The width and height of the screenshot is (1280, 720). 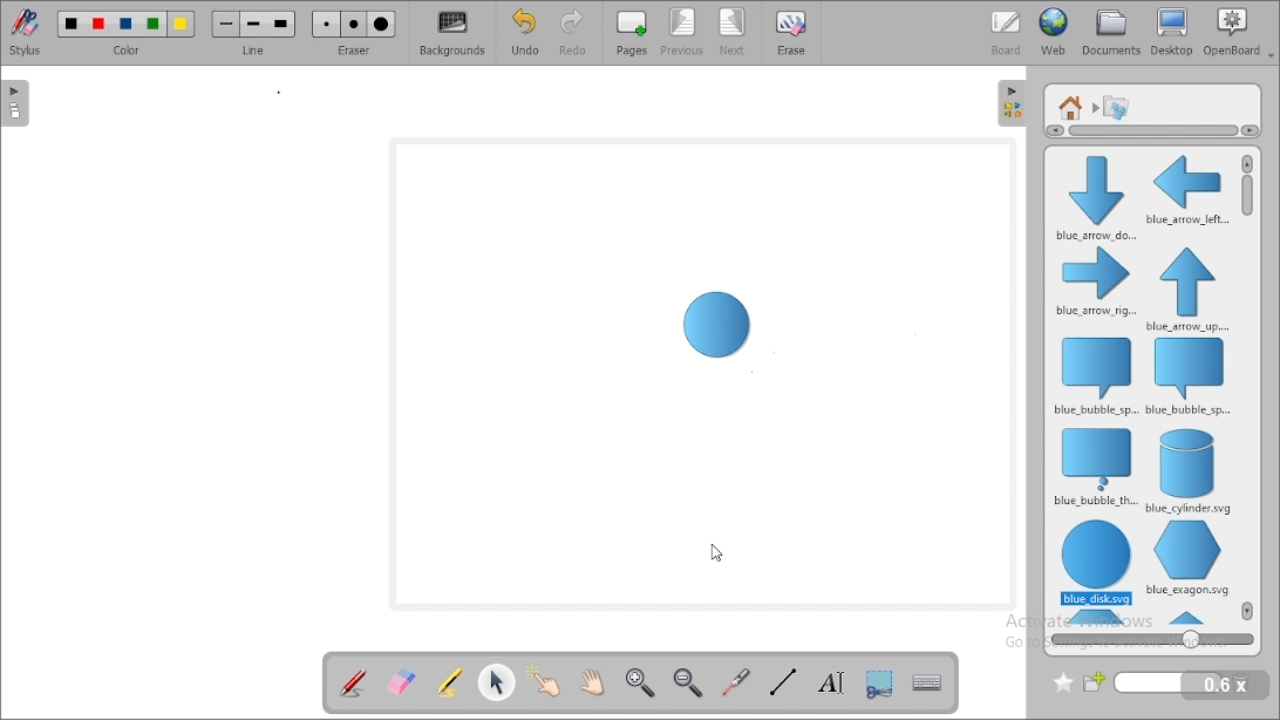 What do you see at coordinates (1054, 32) in the screenshot?
I see `web` at bounding box center [1054, 32].